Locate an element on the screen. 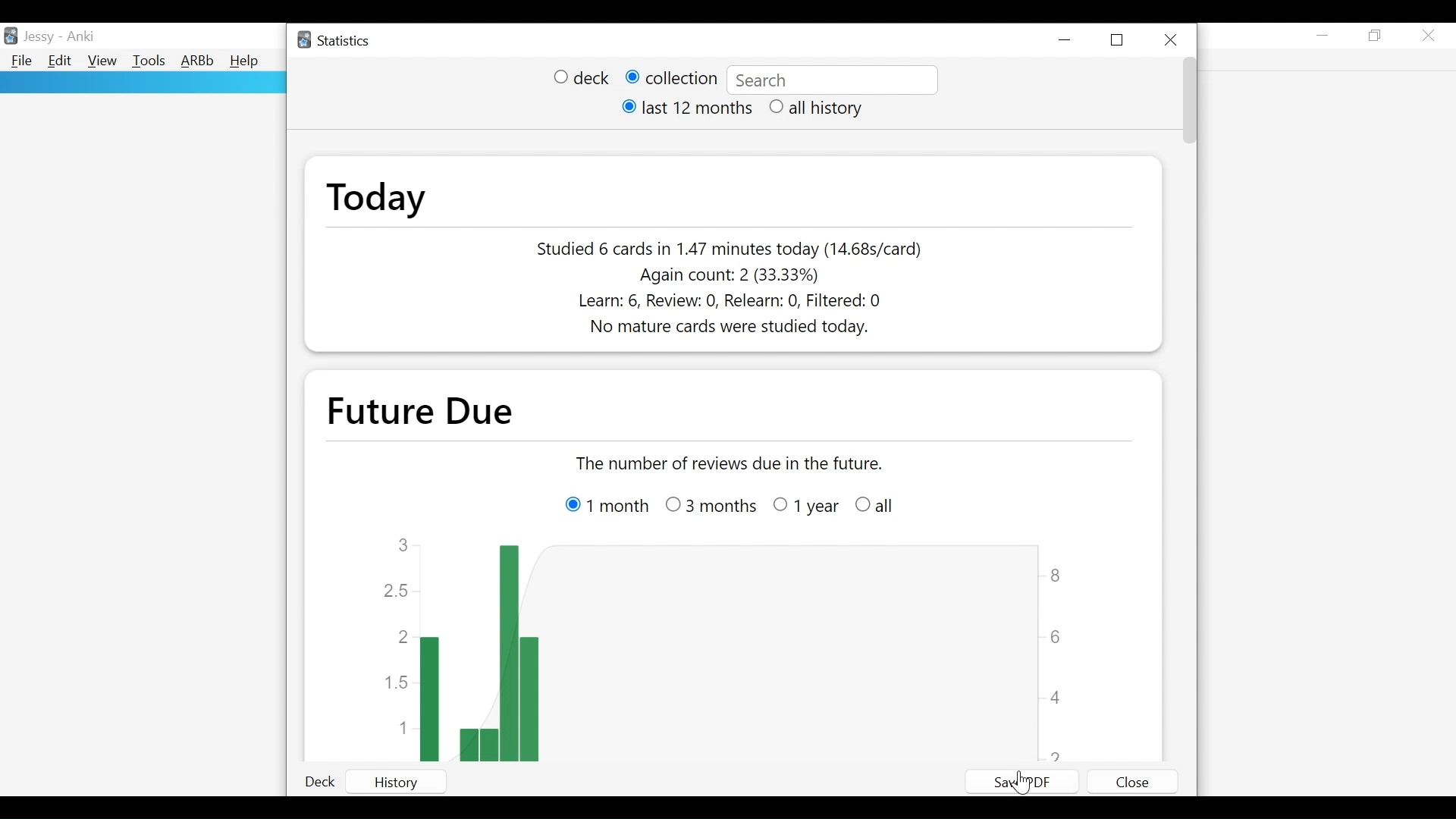 The image size is (1456, 819). minimize is located at coordinates (1323, 35).